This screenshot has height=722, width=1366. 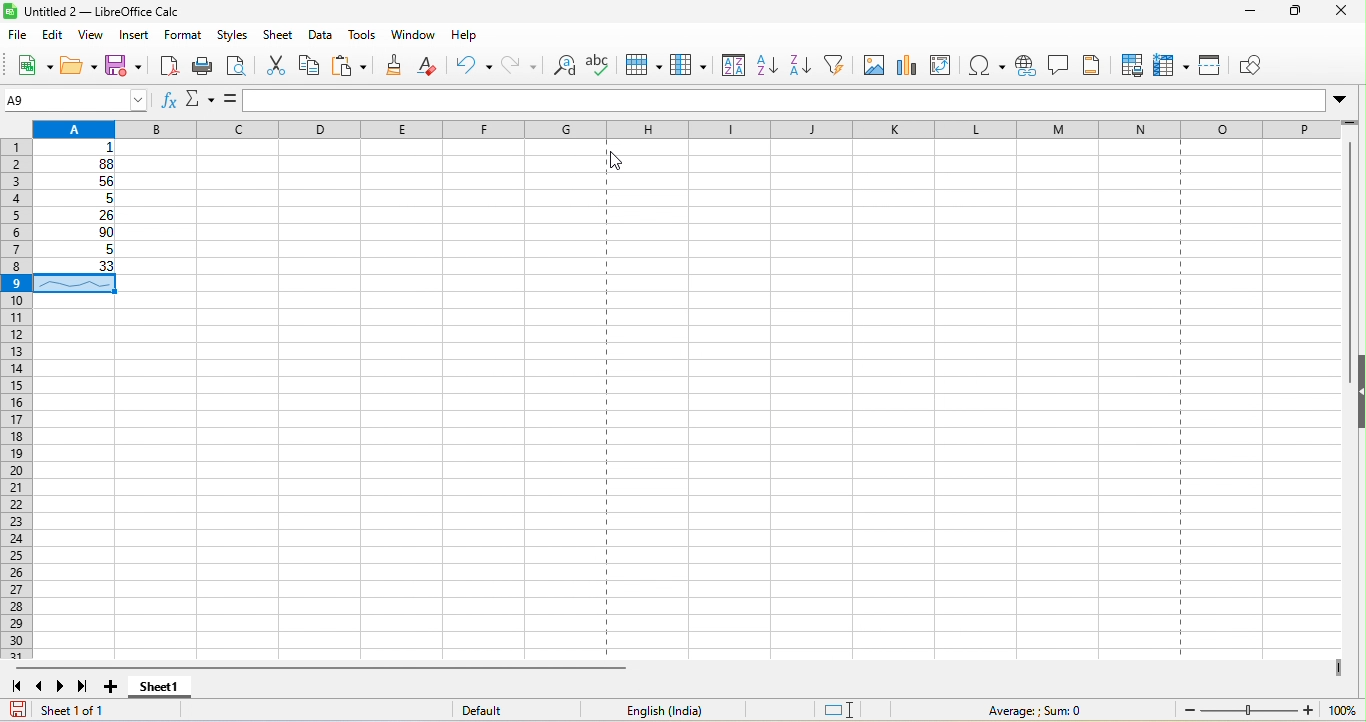 What do you see at coordinates (566, 68) in the screenshot?
I see `find and replace` at bounding box center [566, 68].